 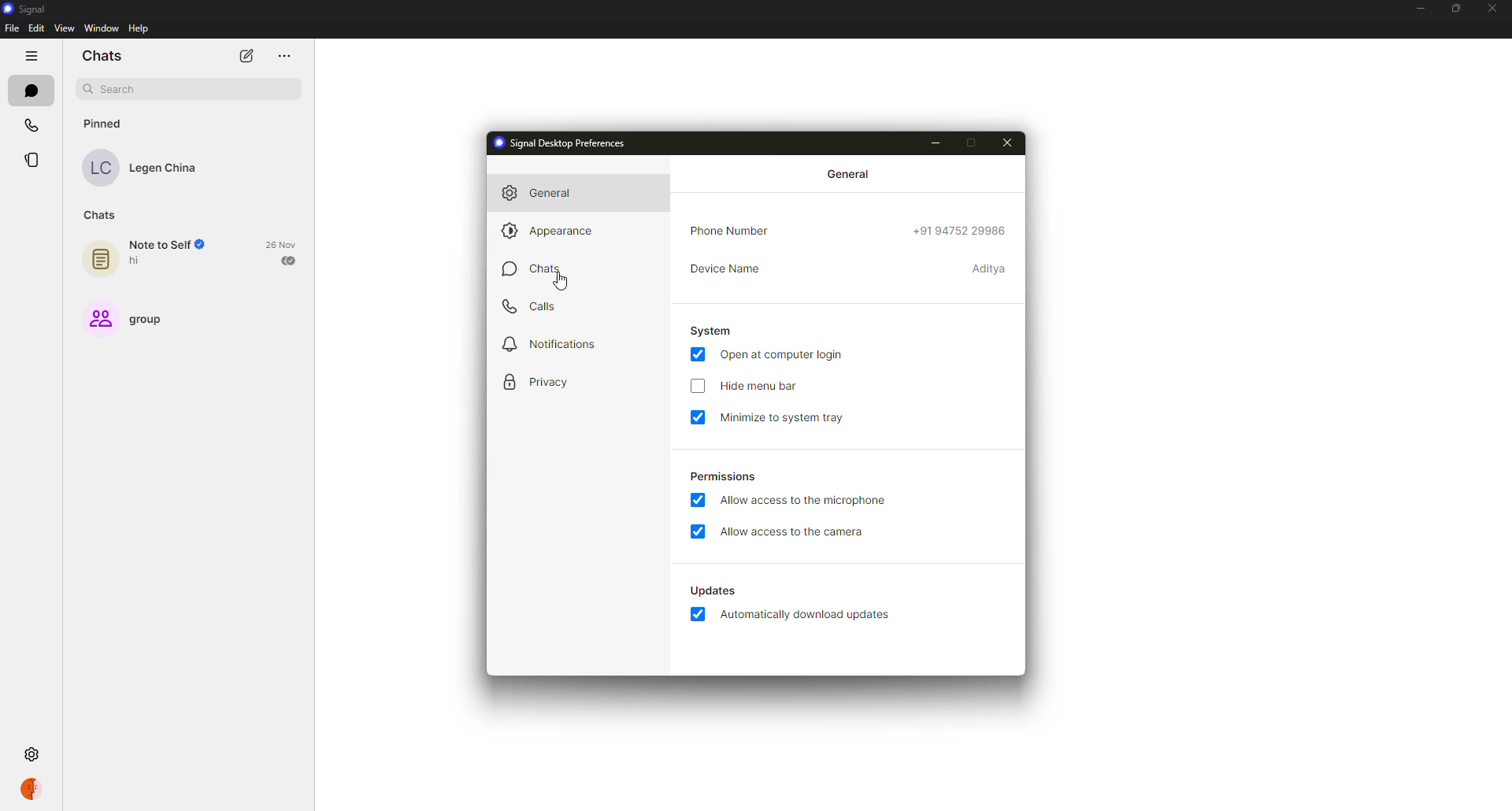 What do you see at coordinates (723, 476) in the screenshot?
I see `permissions` at bounding box center [723, 476].